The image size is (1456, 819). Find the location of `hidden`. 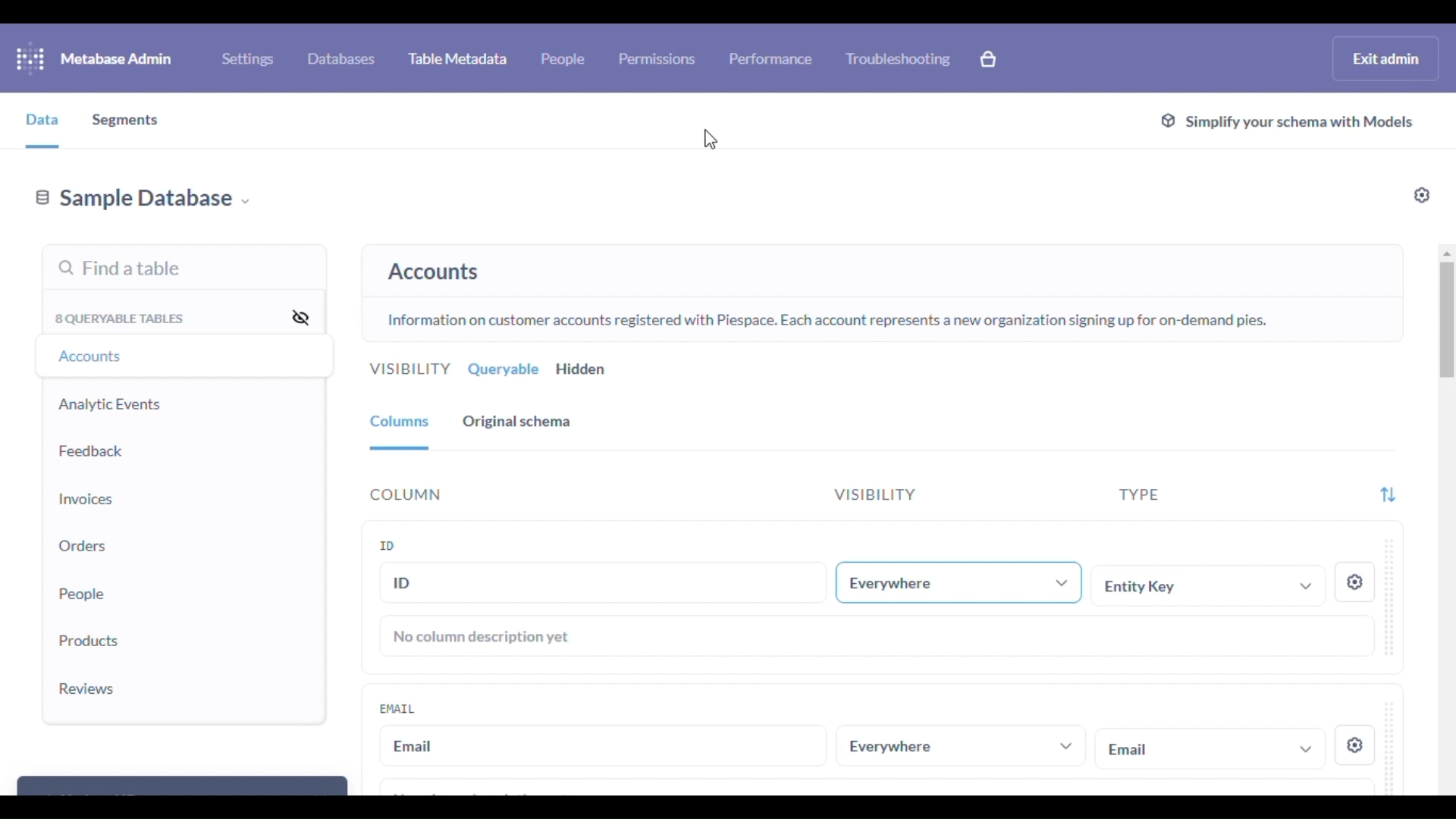

hidden is located at coordinates (582, 369).